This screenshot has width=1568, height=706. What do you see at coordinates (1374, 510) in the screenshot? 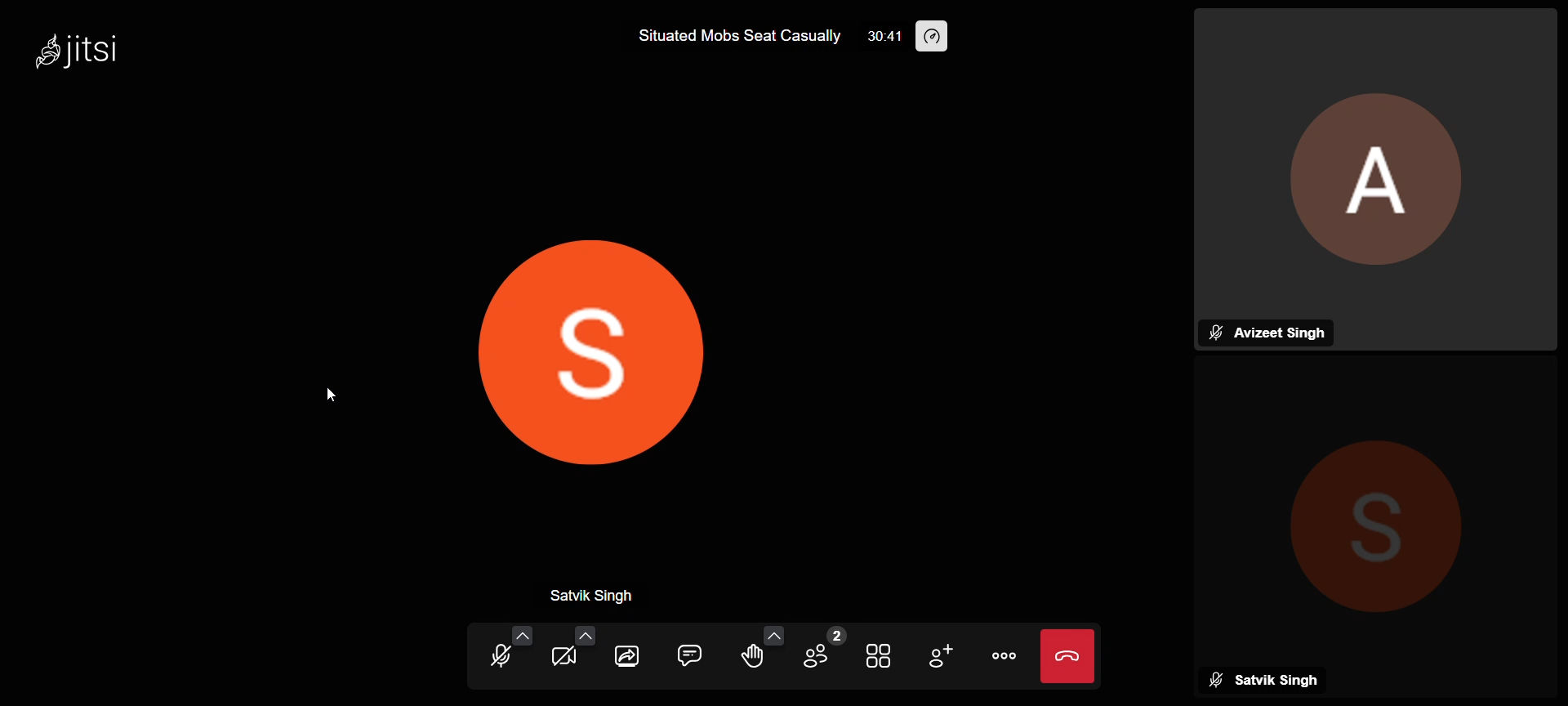
I see `participant focused` at bounding box center [1374, 510].